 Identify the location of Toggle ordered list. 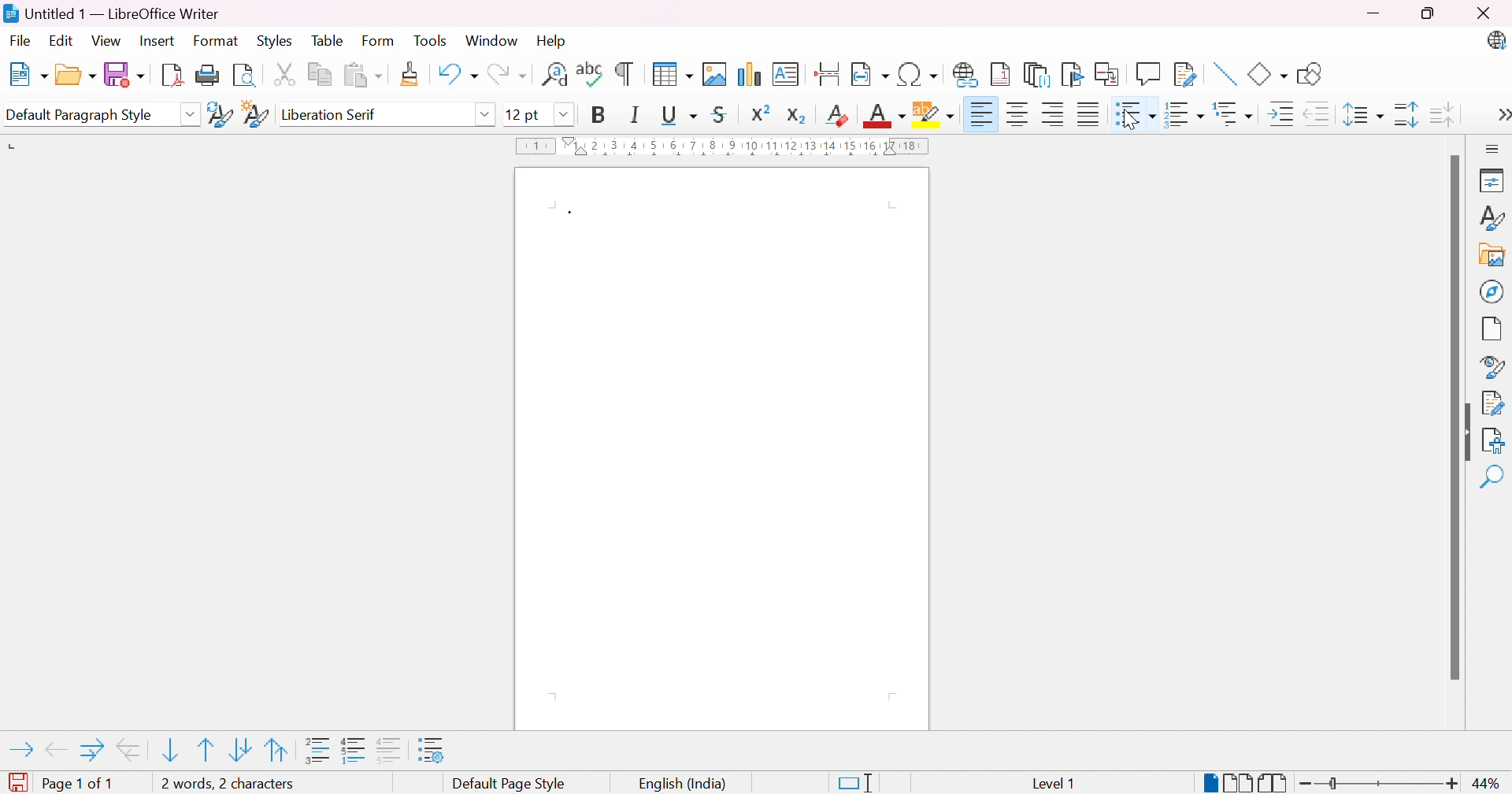
(1187, 117).